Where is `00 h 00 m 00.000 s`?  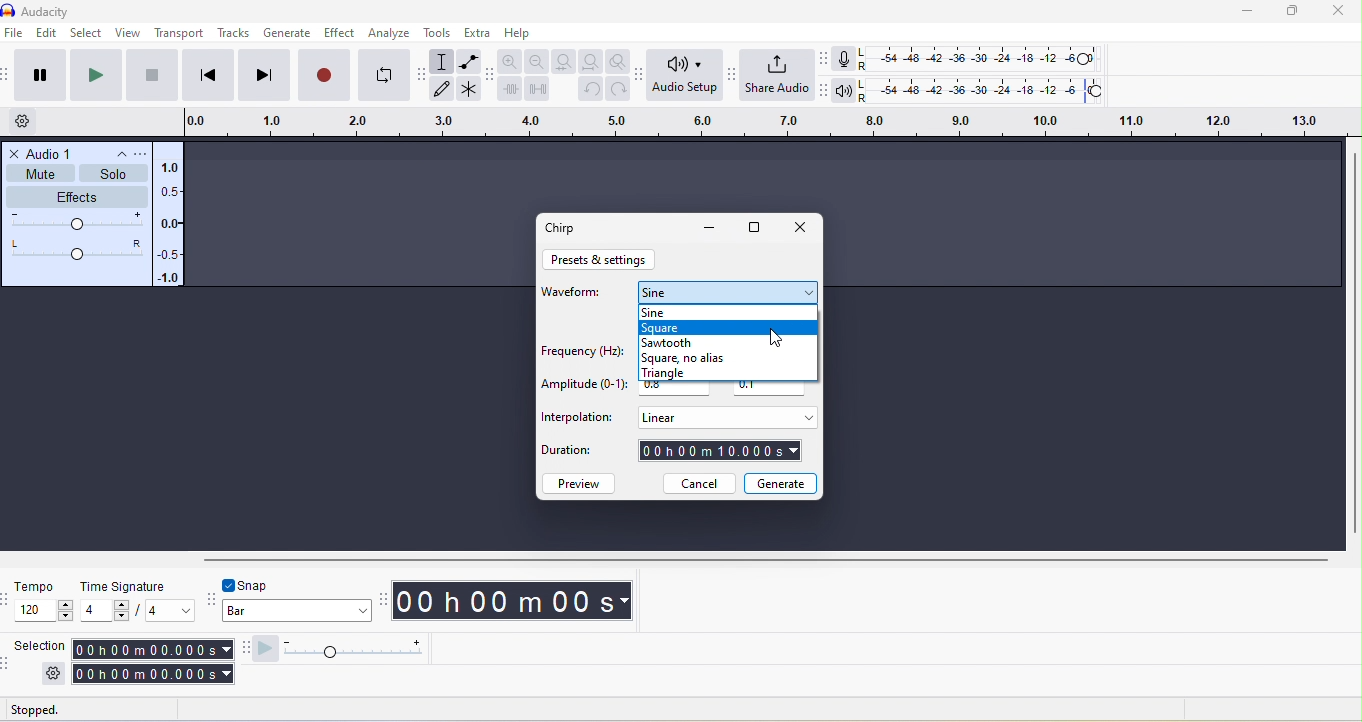
00 h 00 m 00.000 s is located at coordinates (151, 662).